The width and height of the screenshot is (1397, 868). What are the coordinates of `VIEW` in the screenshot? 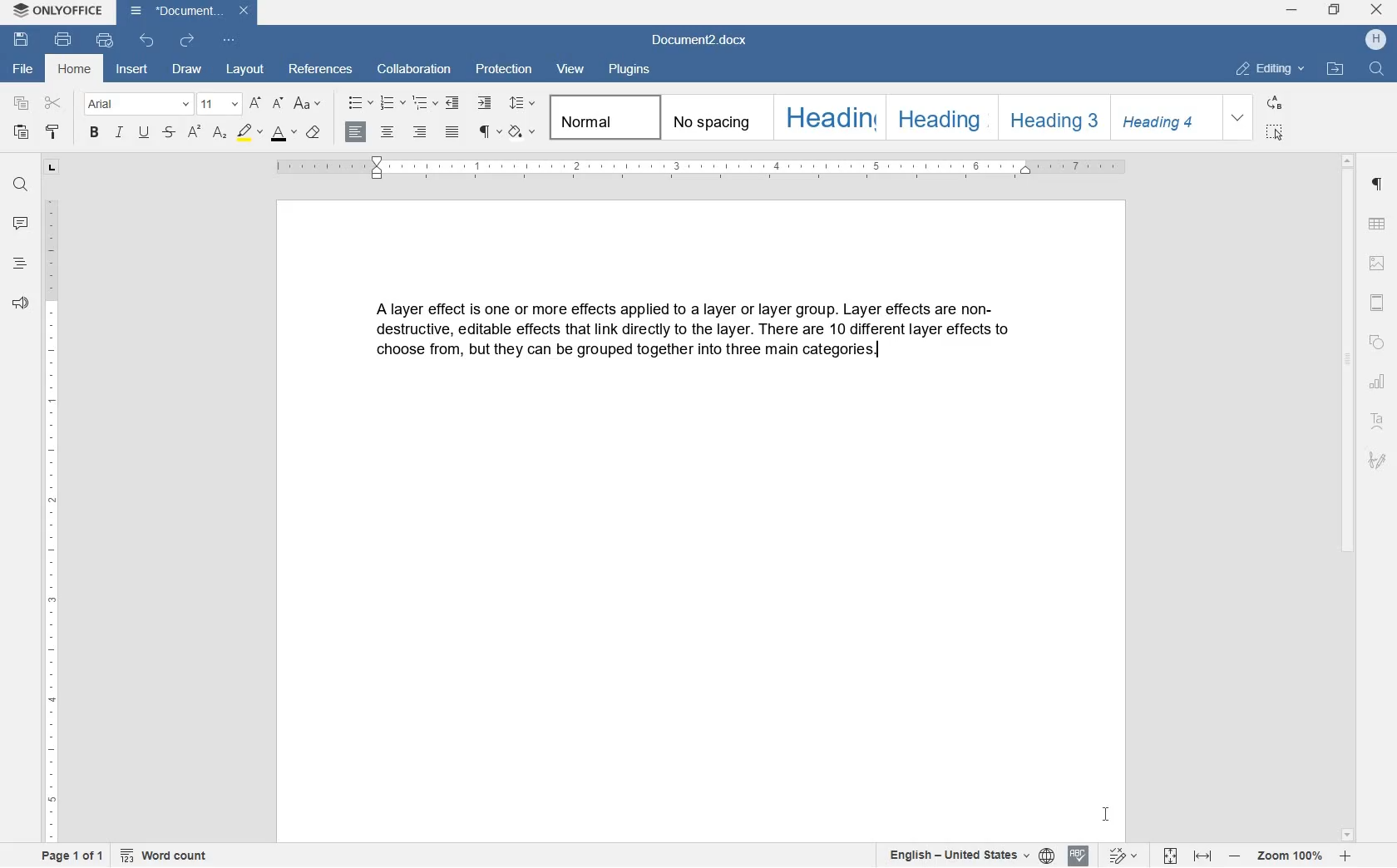 It's located at (570, 69).